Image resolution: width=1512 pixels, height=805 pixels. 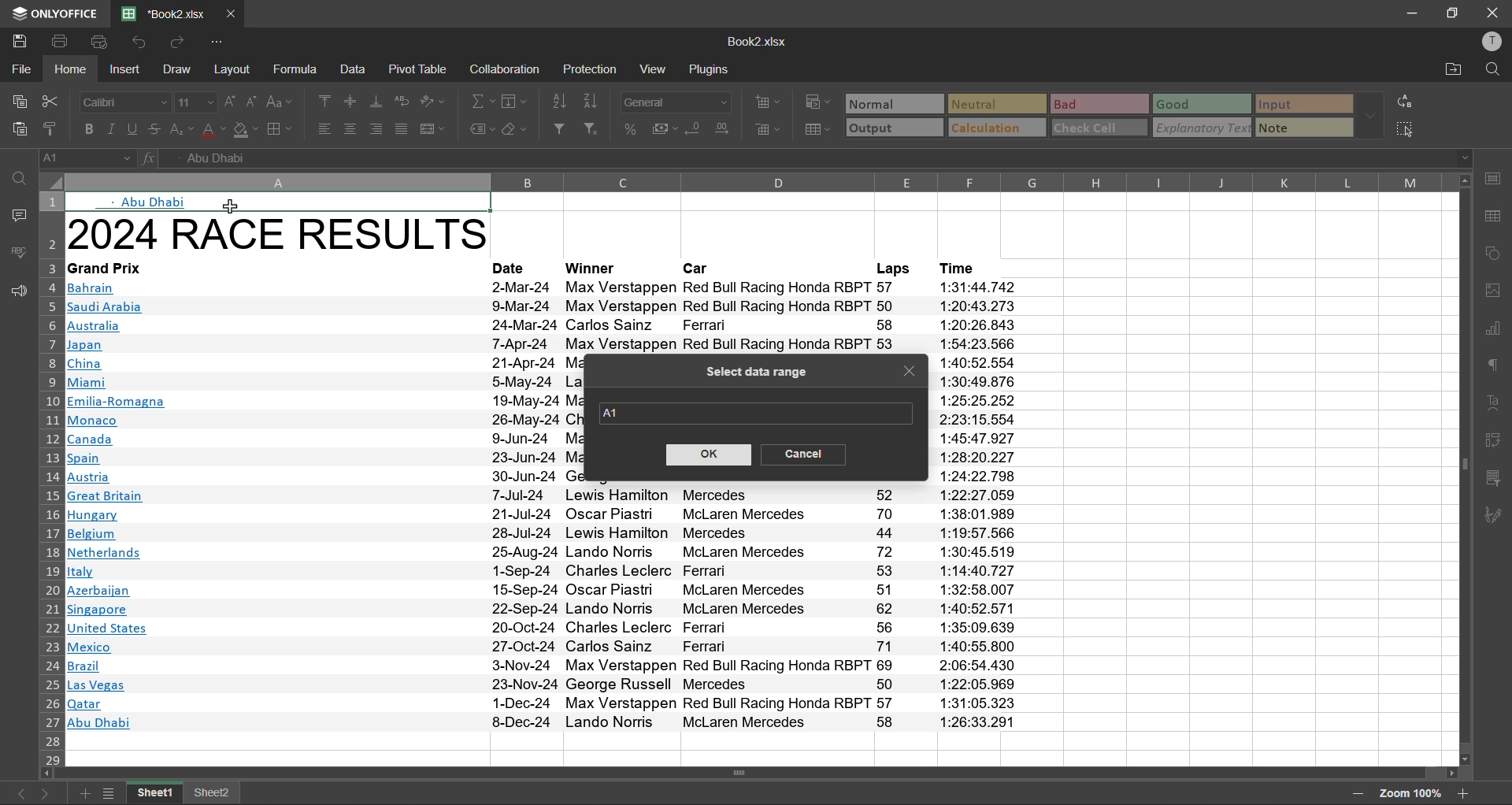 I want to click on conditional formatting, so click(x=815, y=102).